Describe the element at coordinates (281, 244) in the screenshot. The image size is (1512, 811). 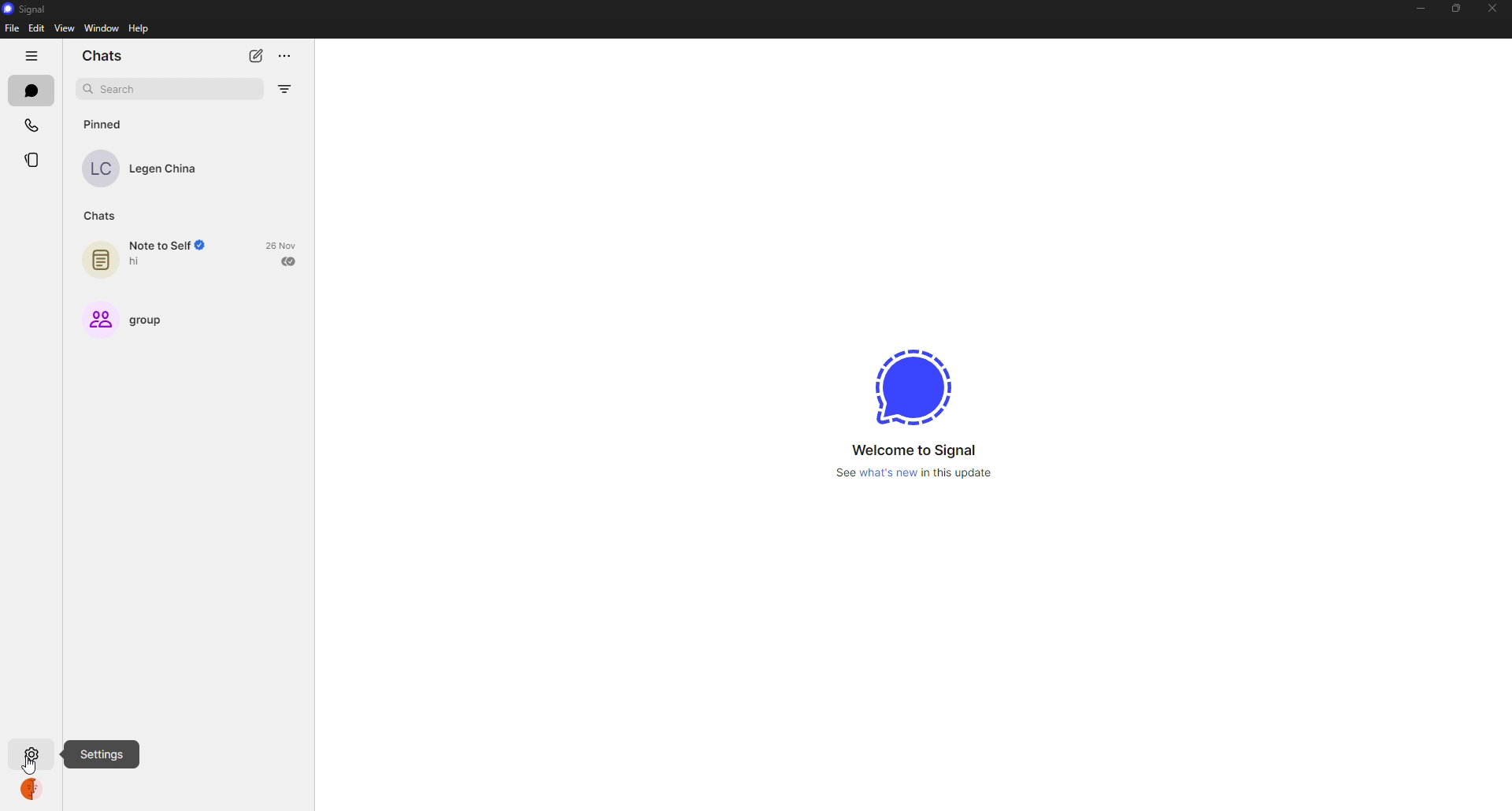
I see `date` at that location.